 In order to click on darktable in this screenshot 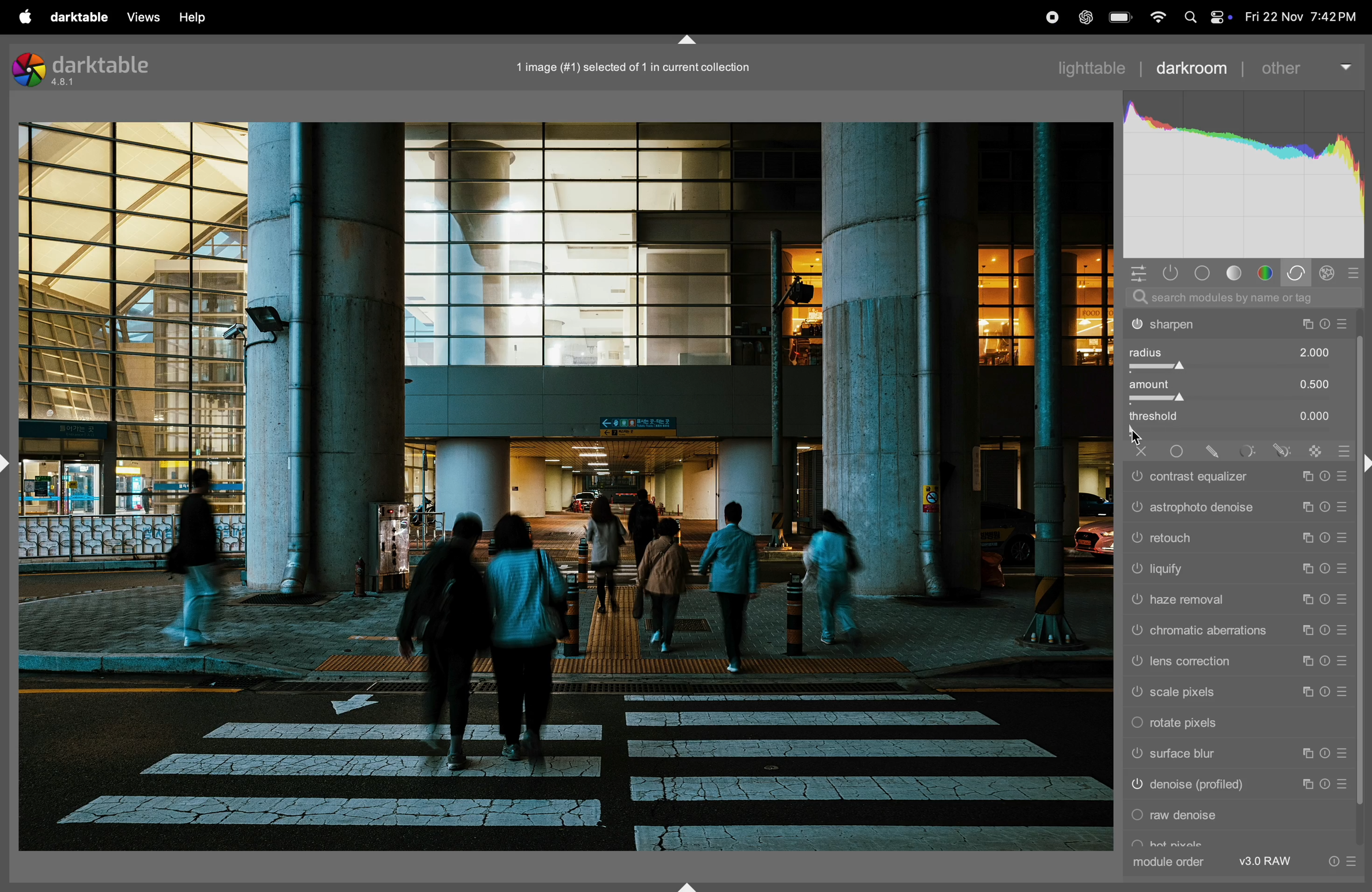, I will do `click(88, 68)`.